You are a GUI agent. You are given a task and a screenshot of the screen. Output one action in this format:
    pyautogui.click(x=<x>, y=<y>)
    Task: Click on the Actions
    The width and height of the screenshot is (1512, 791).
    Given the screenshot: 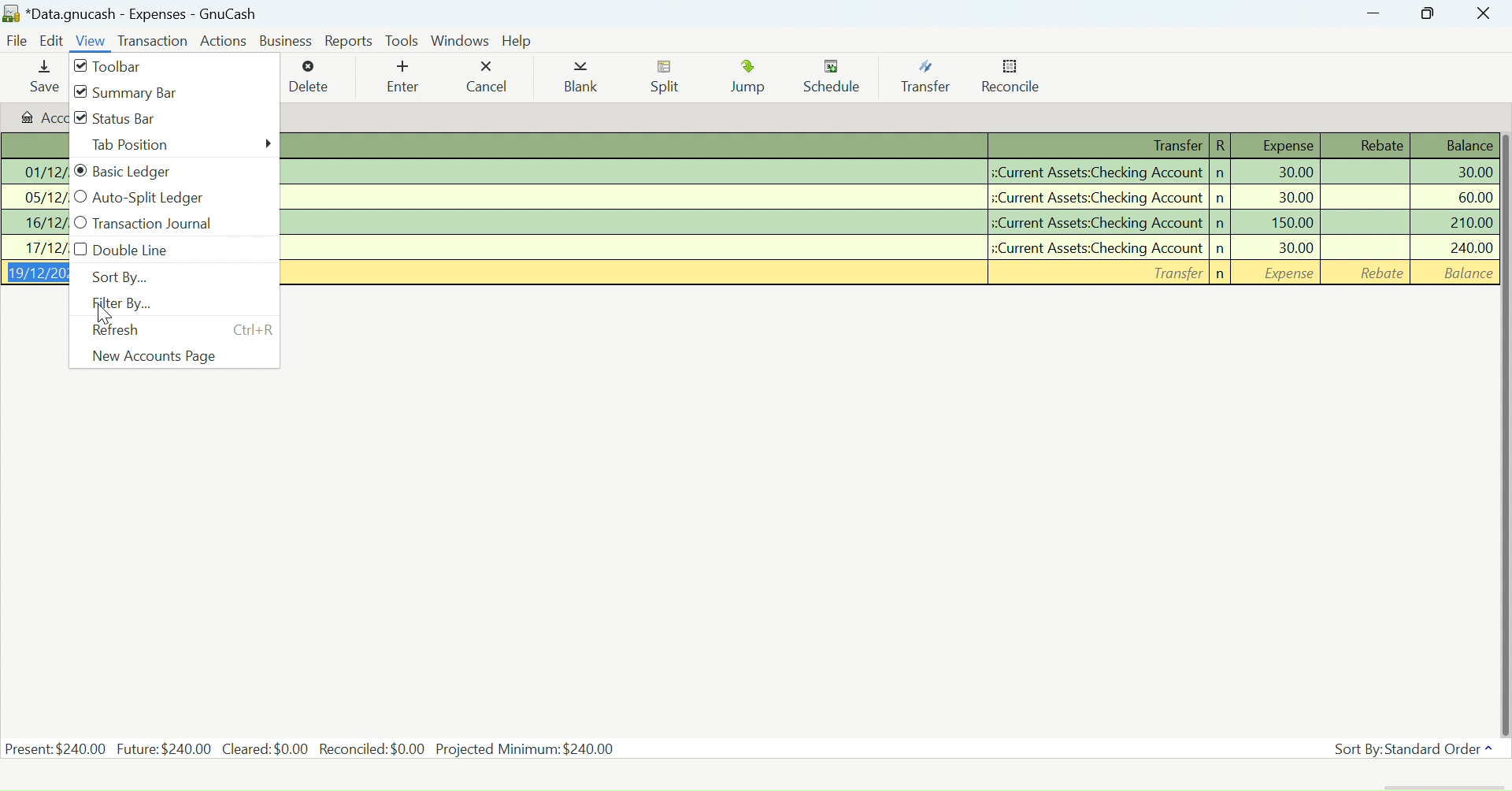 What is the action you would take?
    pyautogui.click(x=226, y=40)
    